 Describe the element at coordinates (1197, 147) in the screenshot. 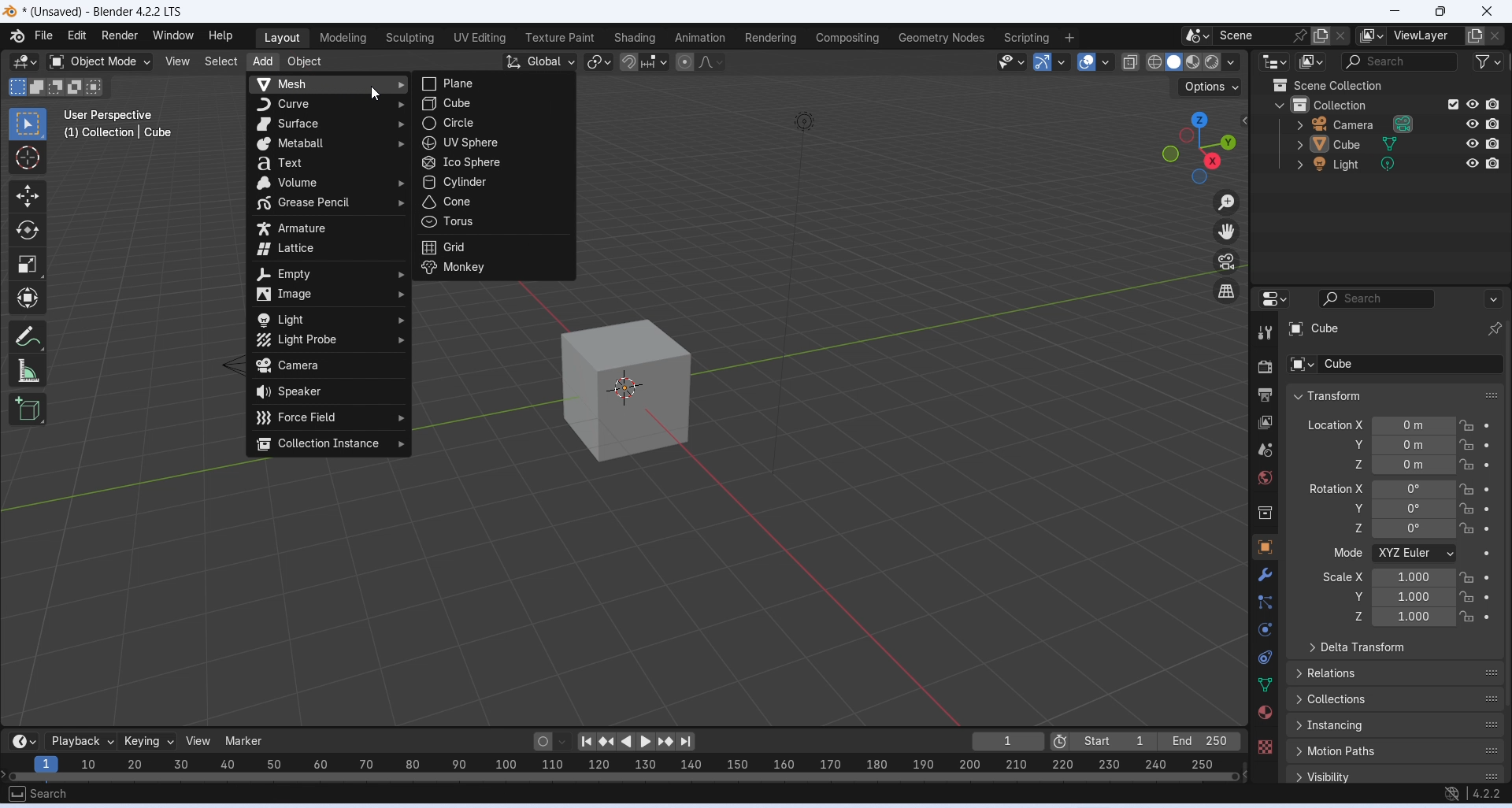

I see `Click` at that location.